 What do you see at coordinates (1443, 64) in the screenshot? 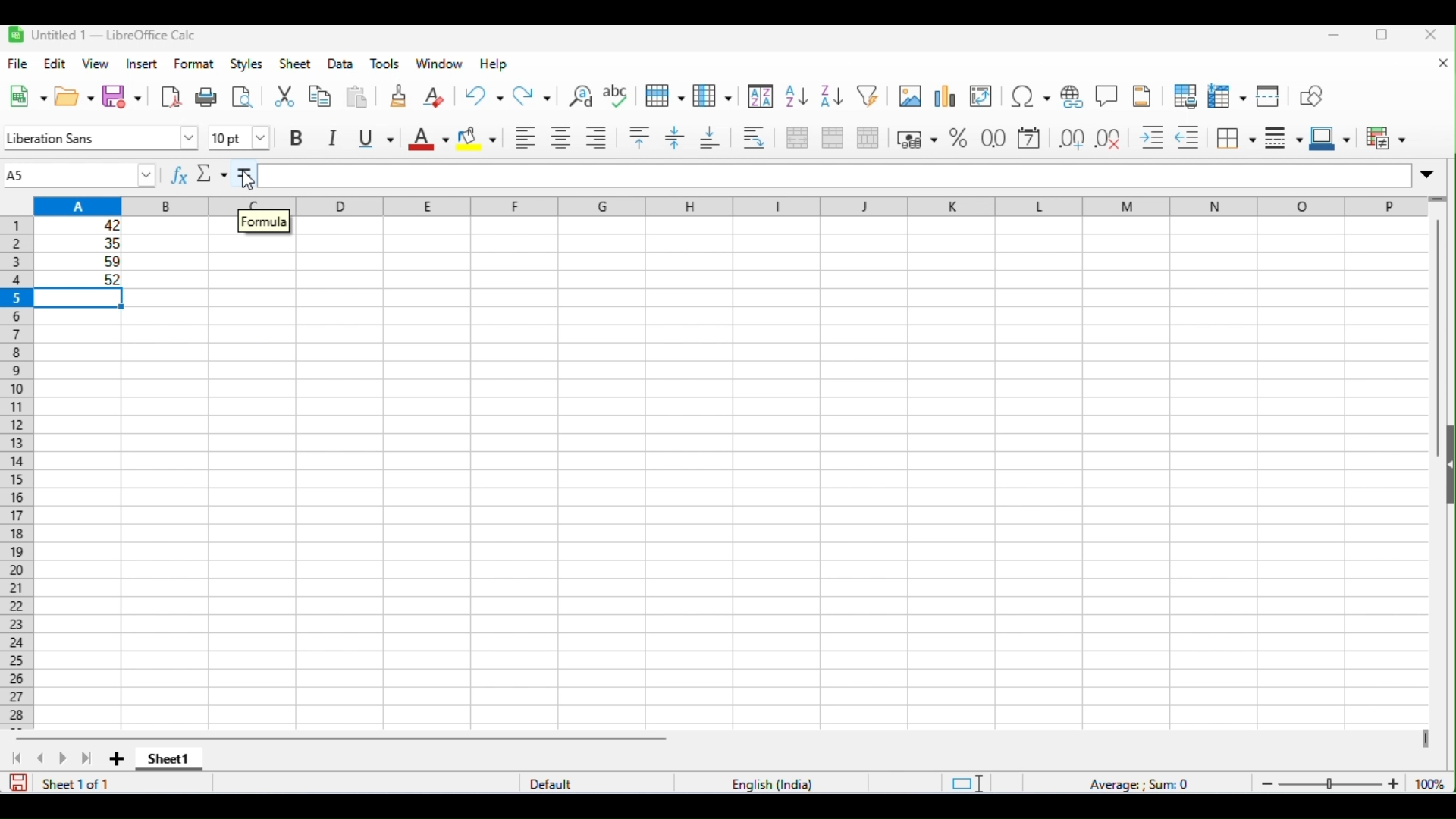
I see `close` at bounding box center [1443, 64].